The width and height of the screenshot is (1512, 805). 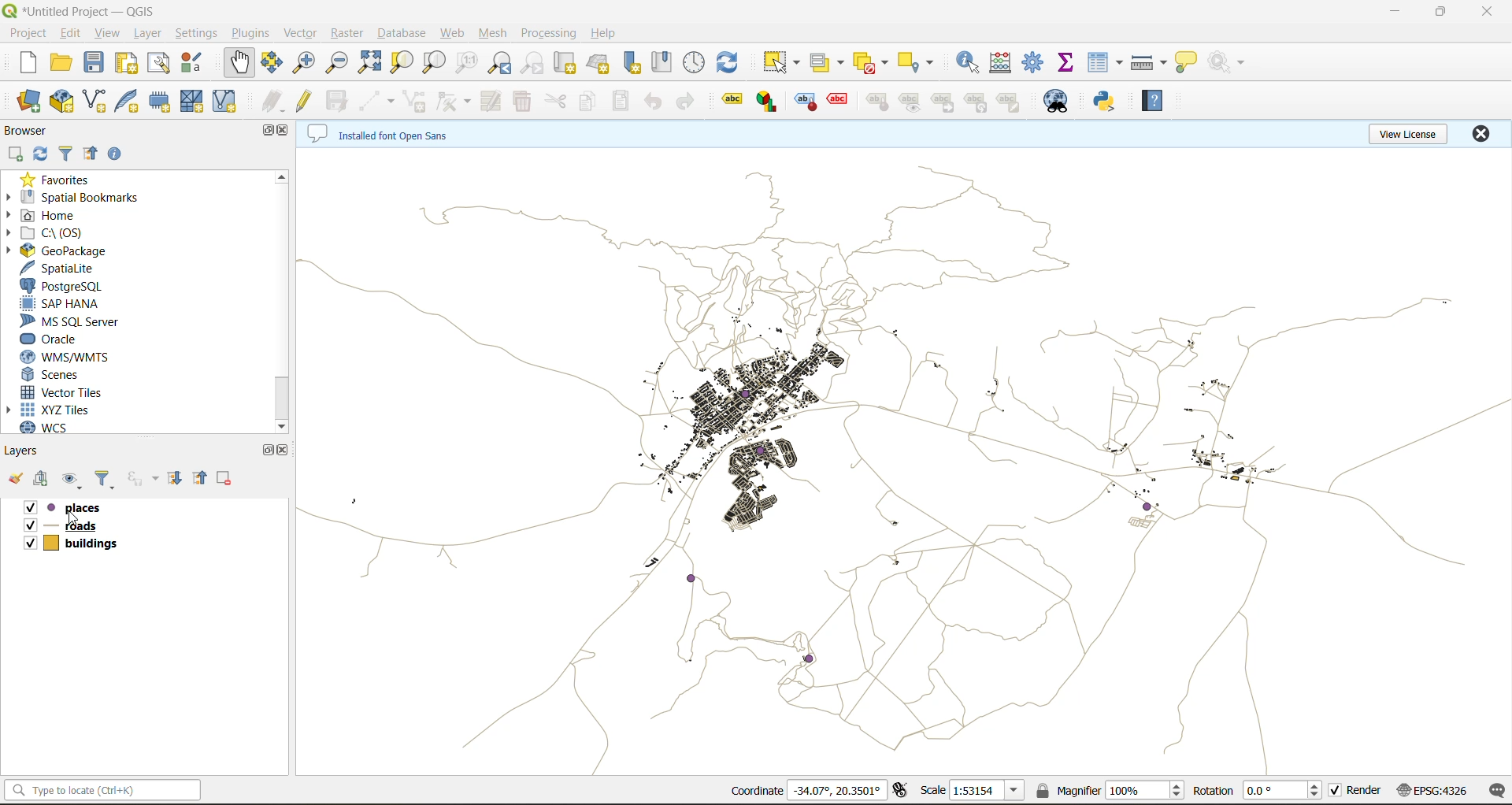 I want to click on collapse all, so click(x=202, y=477).